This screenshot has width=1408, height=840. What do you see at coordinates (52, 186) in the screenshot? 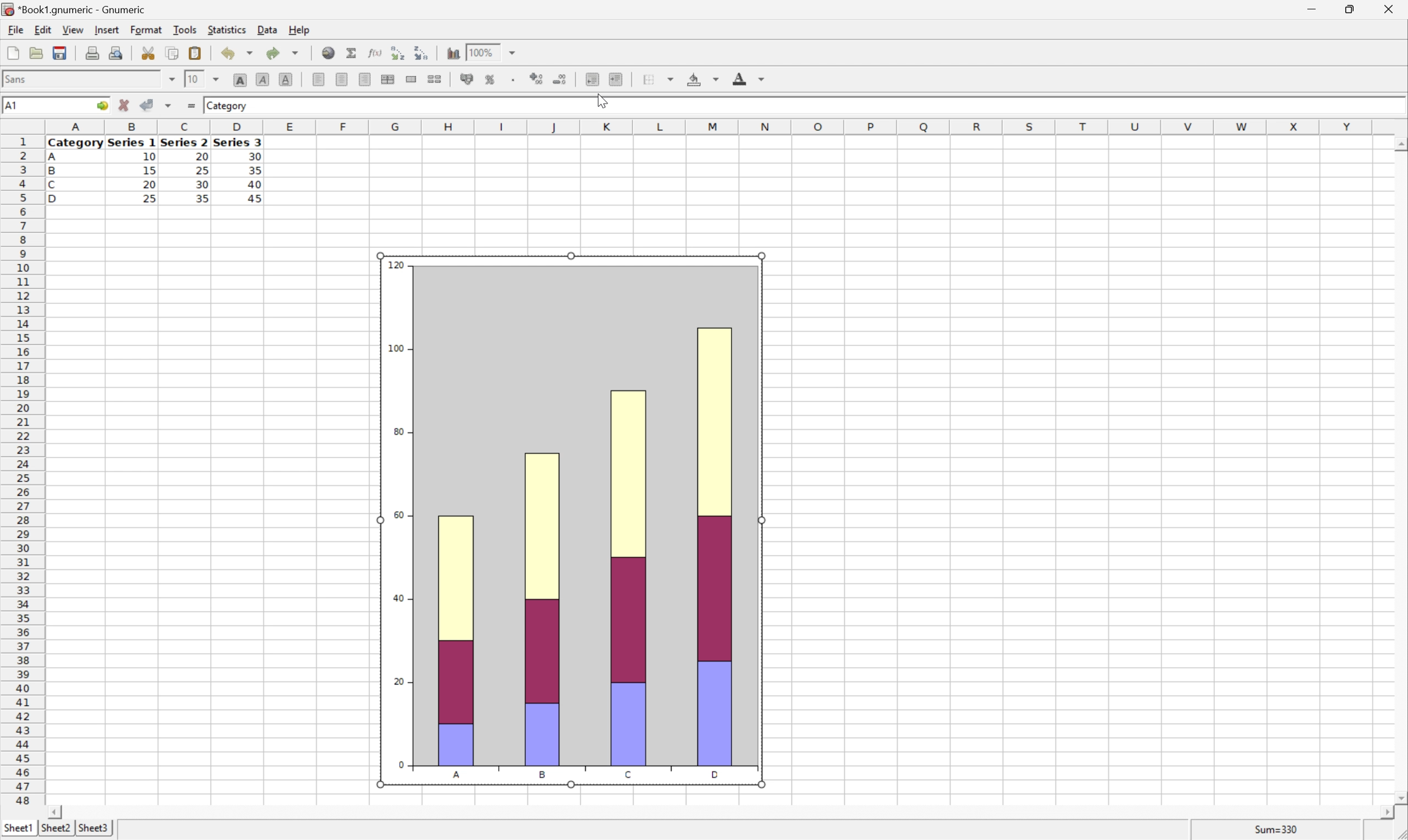
I see `C` at bounding box center [52, 186].